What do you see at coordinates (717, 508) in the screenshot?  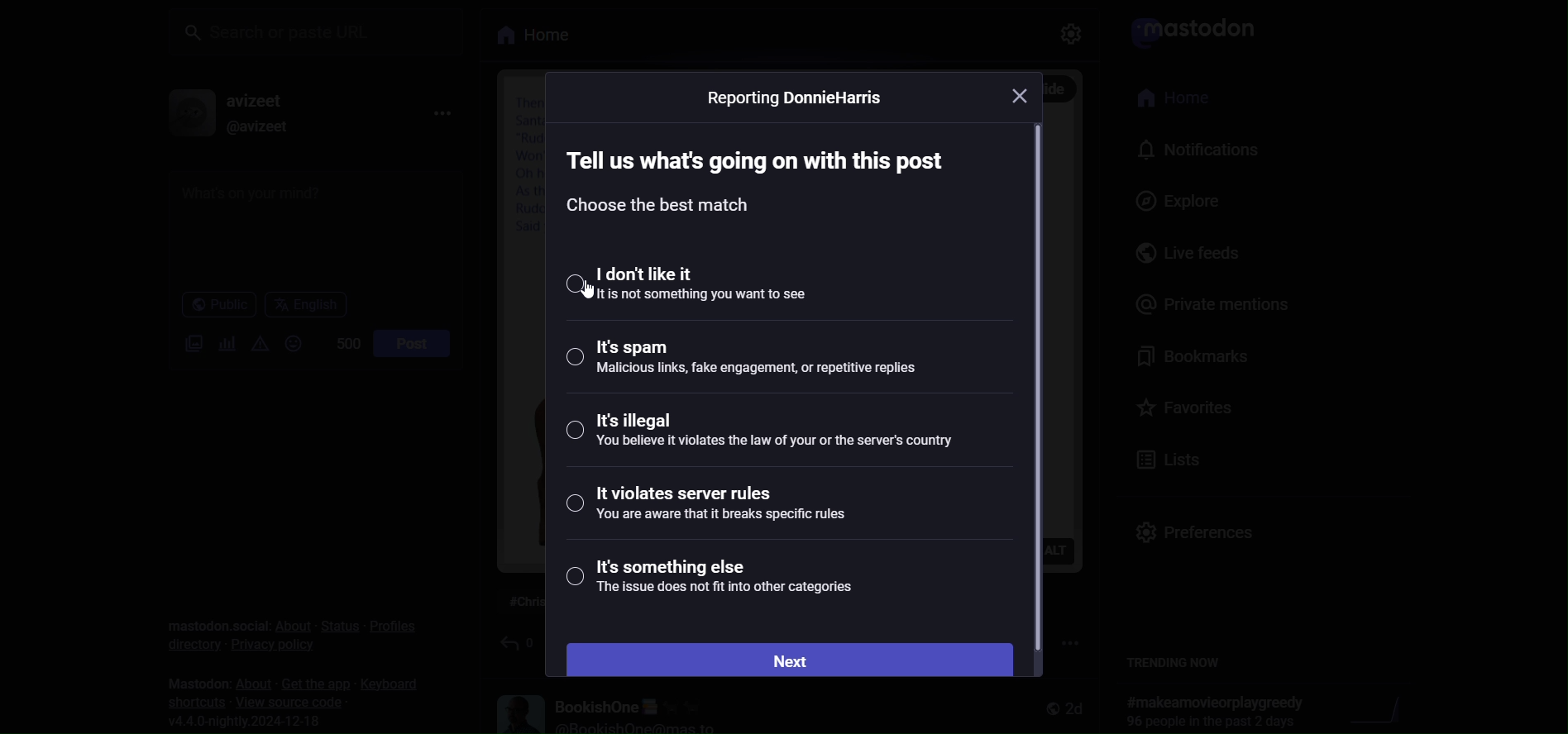 I see `It violates server rules
You are aware that it breaks specific rules` at bounding box center [717, 508].